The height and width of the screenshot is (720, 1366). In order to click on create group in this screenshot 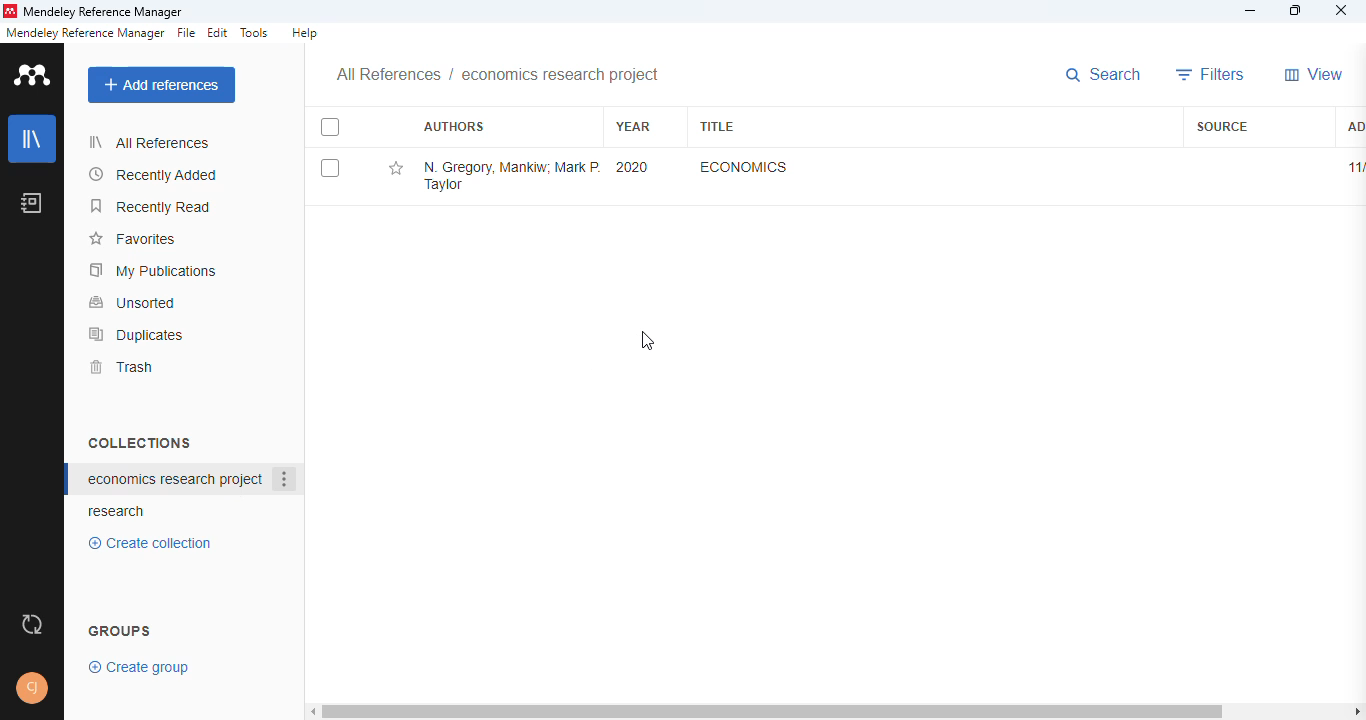, I will do `click(141, 666)`.